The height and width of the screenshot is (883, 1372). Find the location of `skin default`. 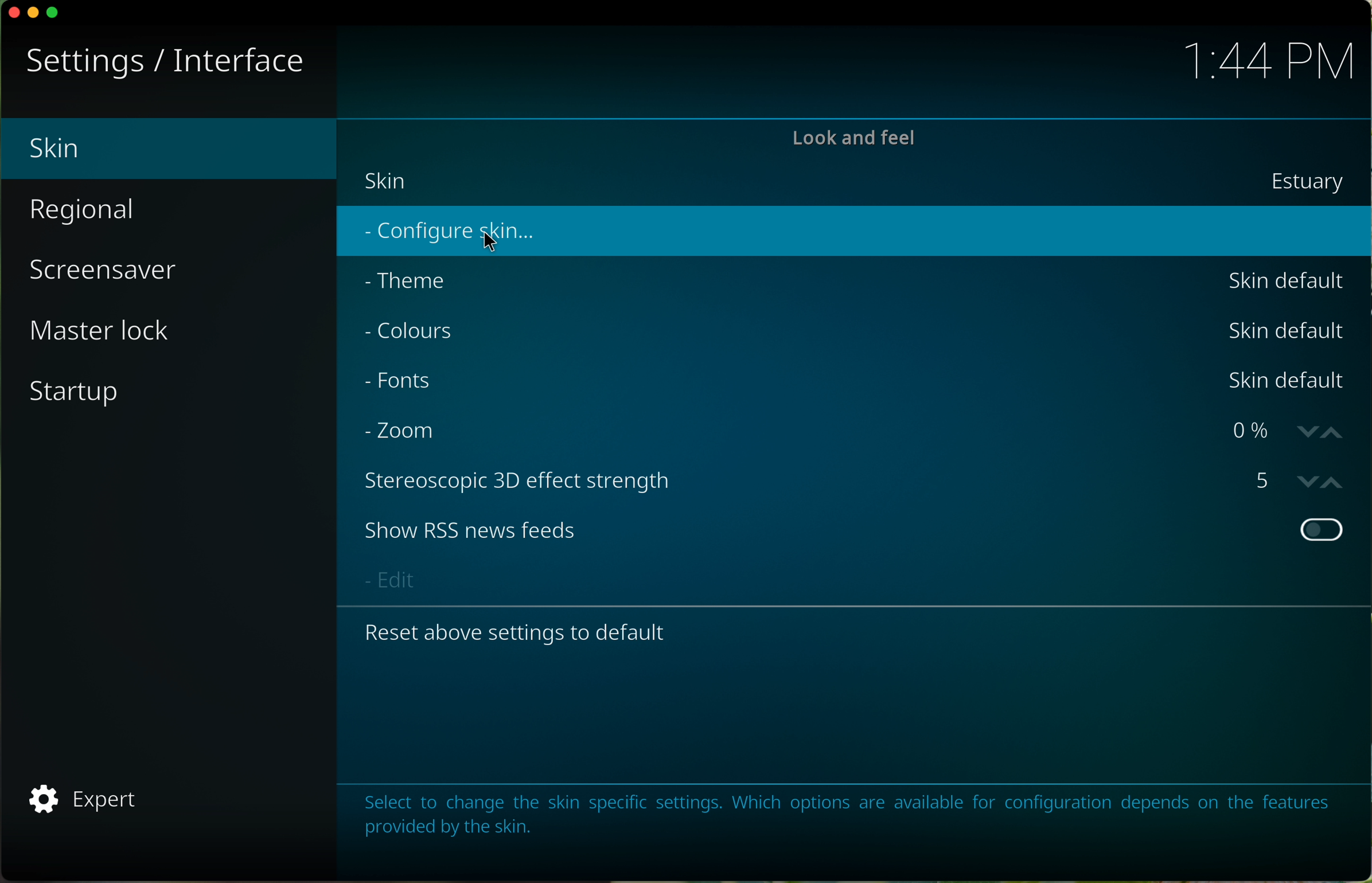

skin default is located at coordinates (1282, 380).